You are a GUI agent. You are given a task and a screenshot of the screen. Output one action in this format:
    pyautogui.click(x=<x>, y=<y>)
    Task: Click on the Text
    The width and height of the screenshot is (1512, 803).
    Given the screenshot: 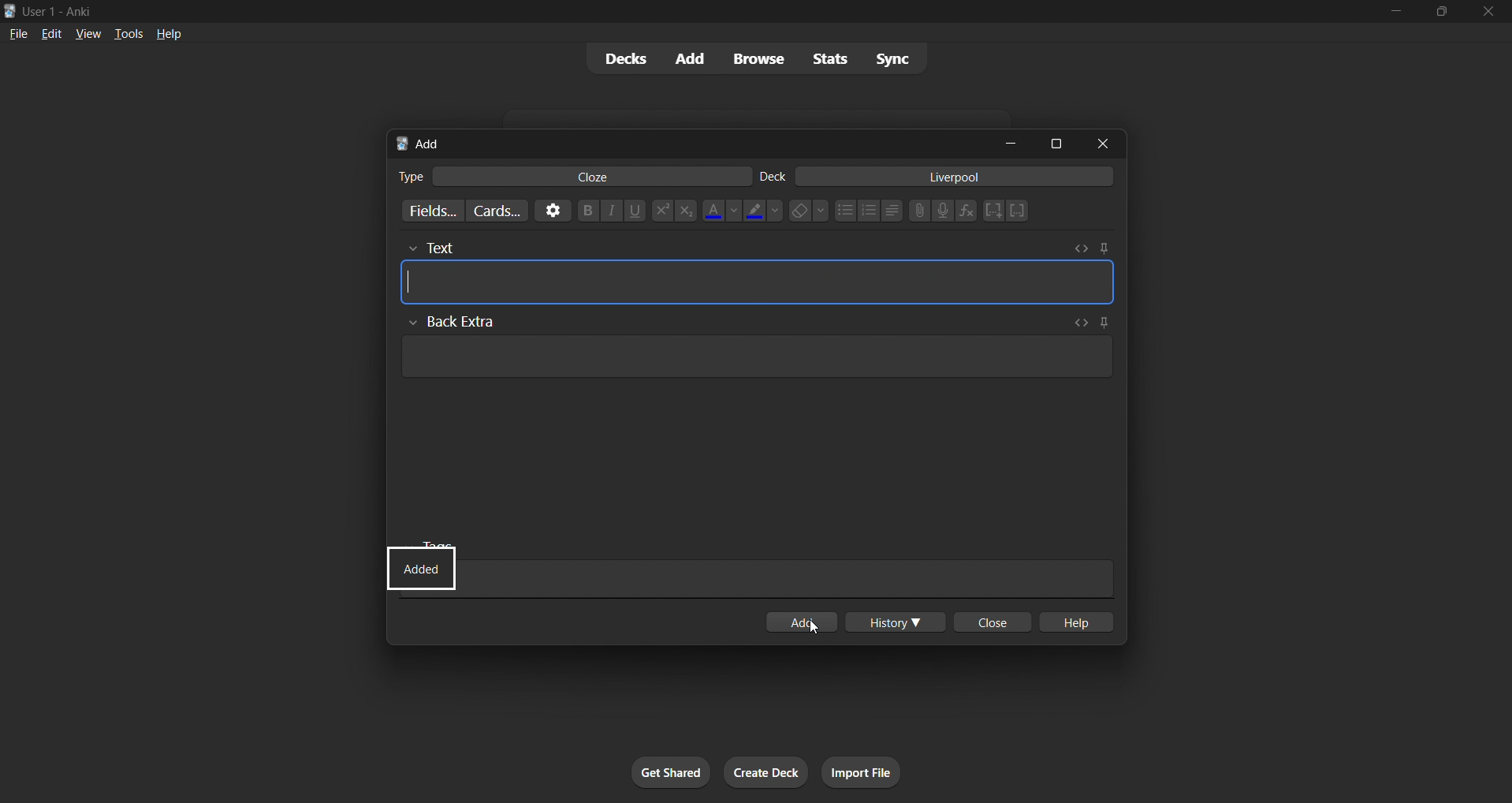 What is the action you would take?
    pyautogui.click(x=467, y=245)
    